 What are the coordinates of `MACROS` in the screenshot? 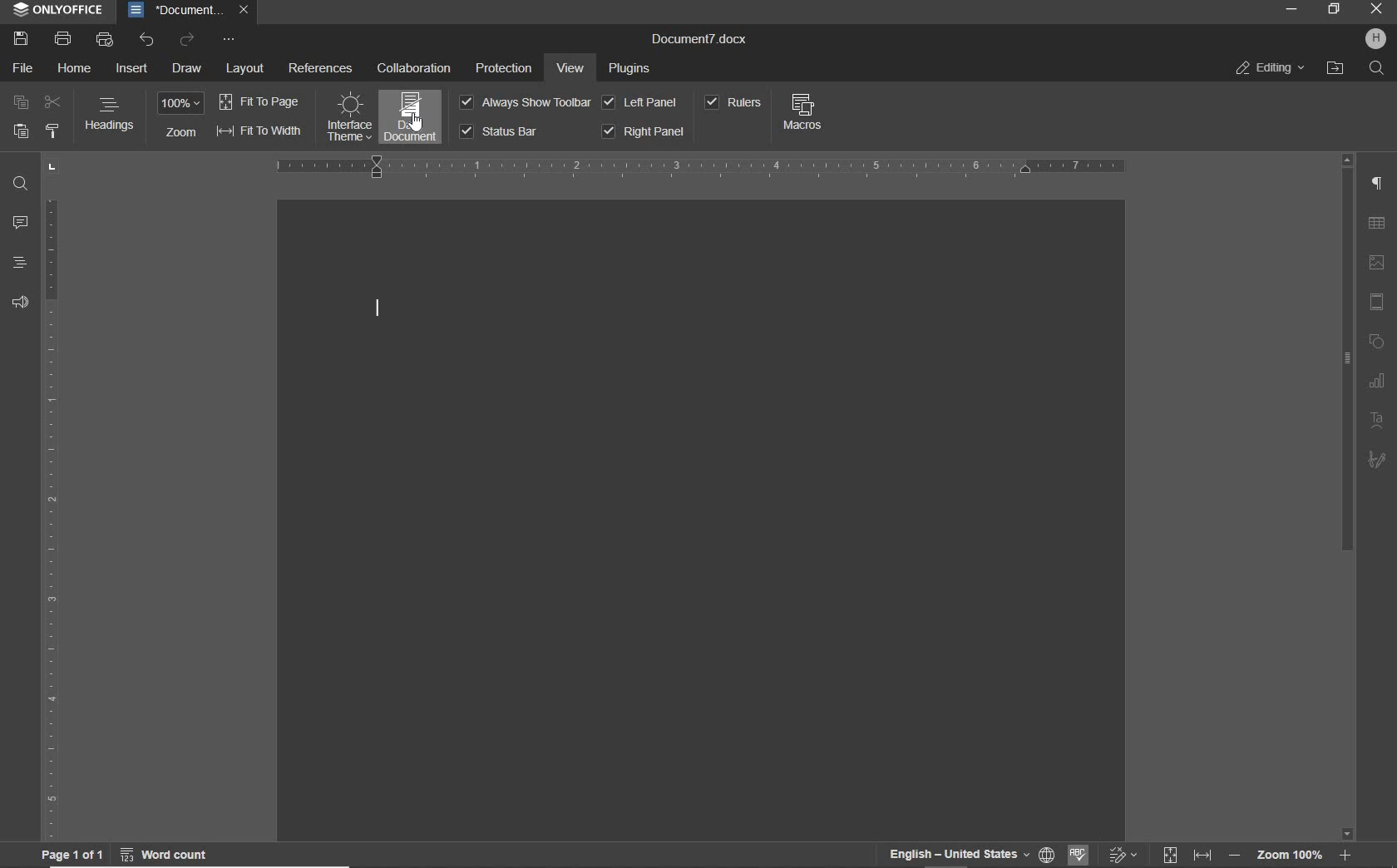 It's located at (803, 115).